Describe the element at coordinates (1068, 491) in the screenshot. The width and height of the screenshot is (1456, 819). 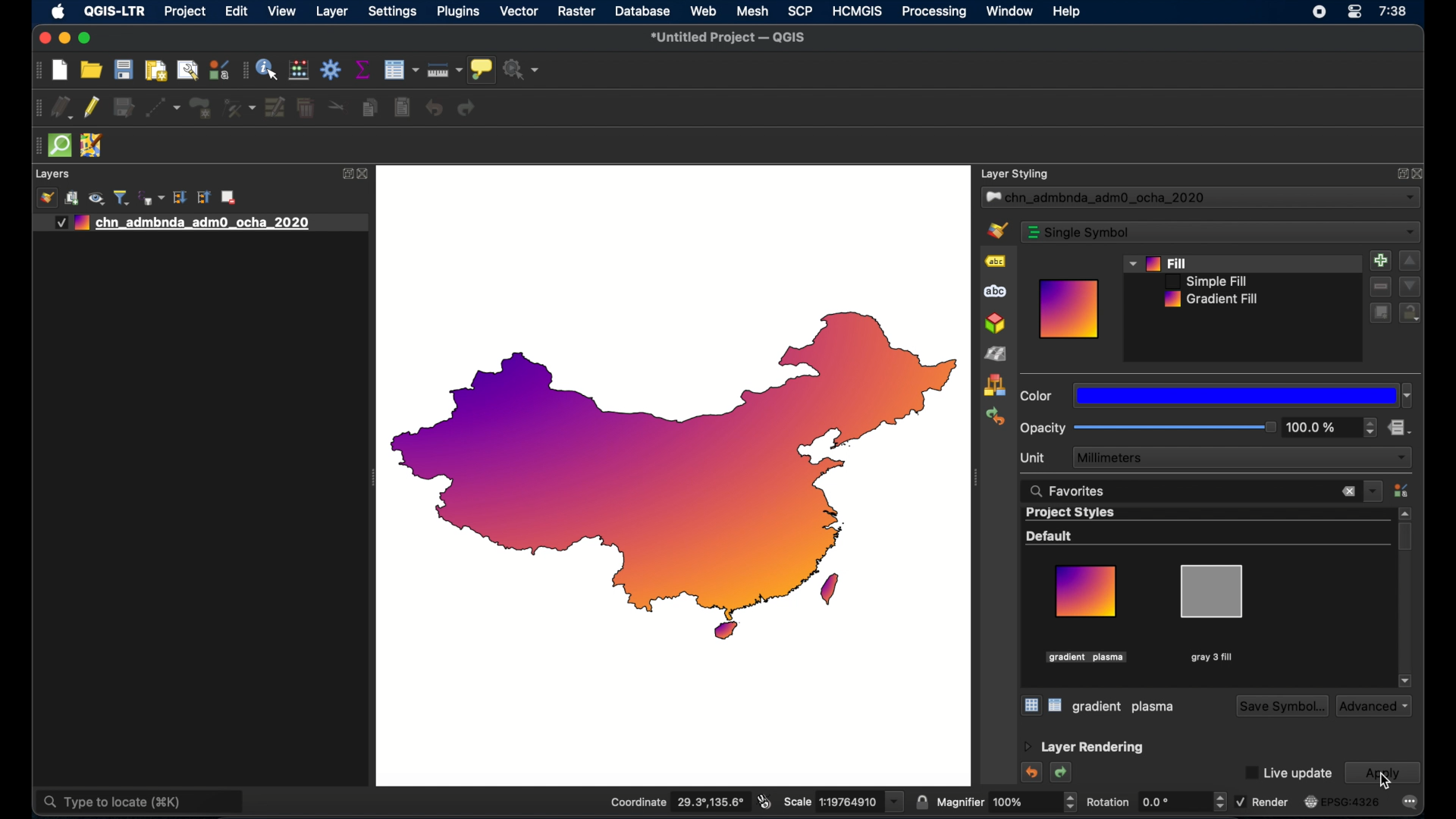
I see `favorites` at that location.